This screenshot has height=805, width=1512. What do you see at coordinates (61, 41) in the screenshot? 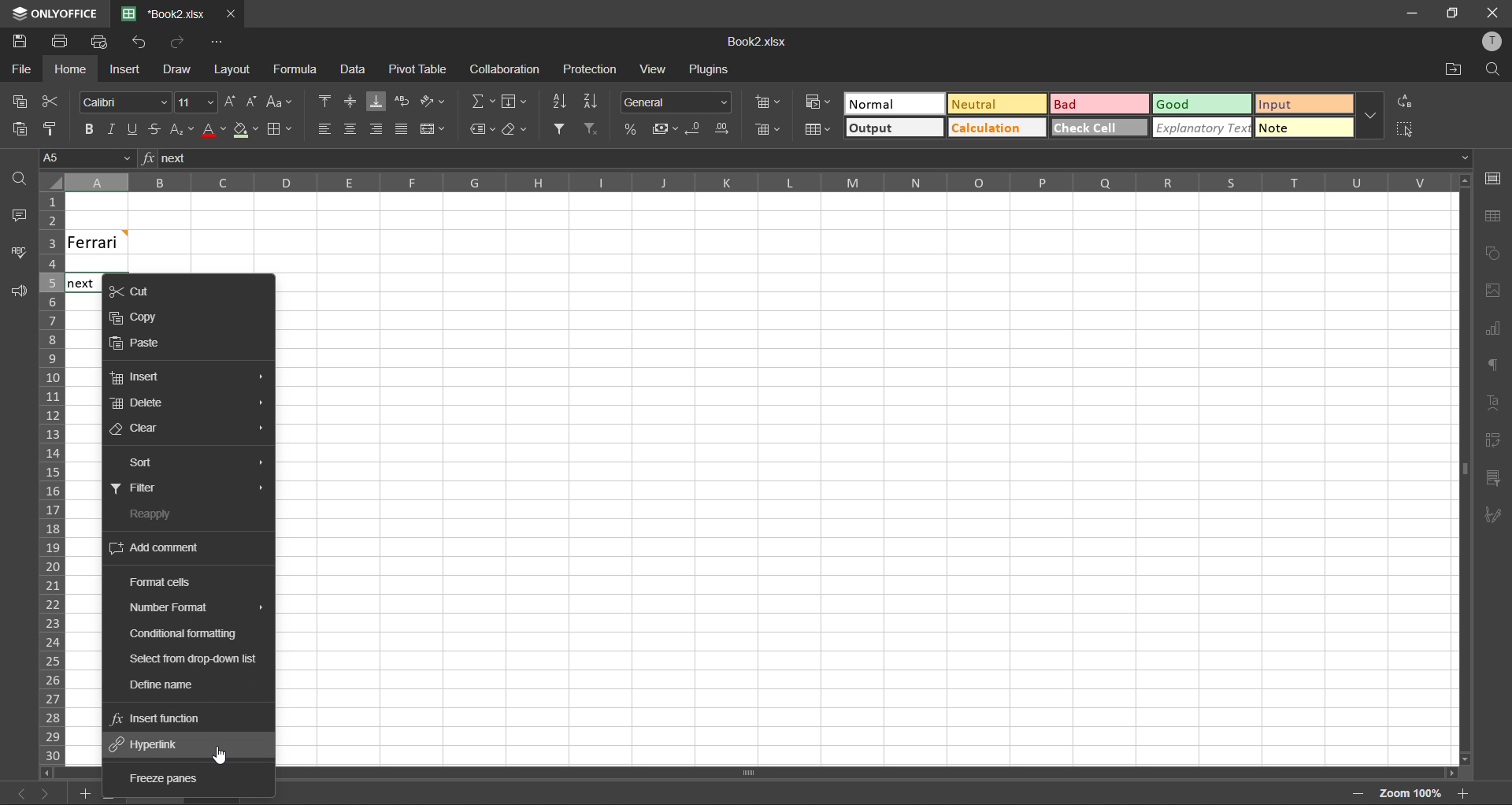
I see `print` at bounding box center [61, 41].